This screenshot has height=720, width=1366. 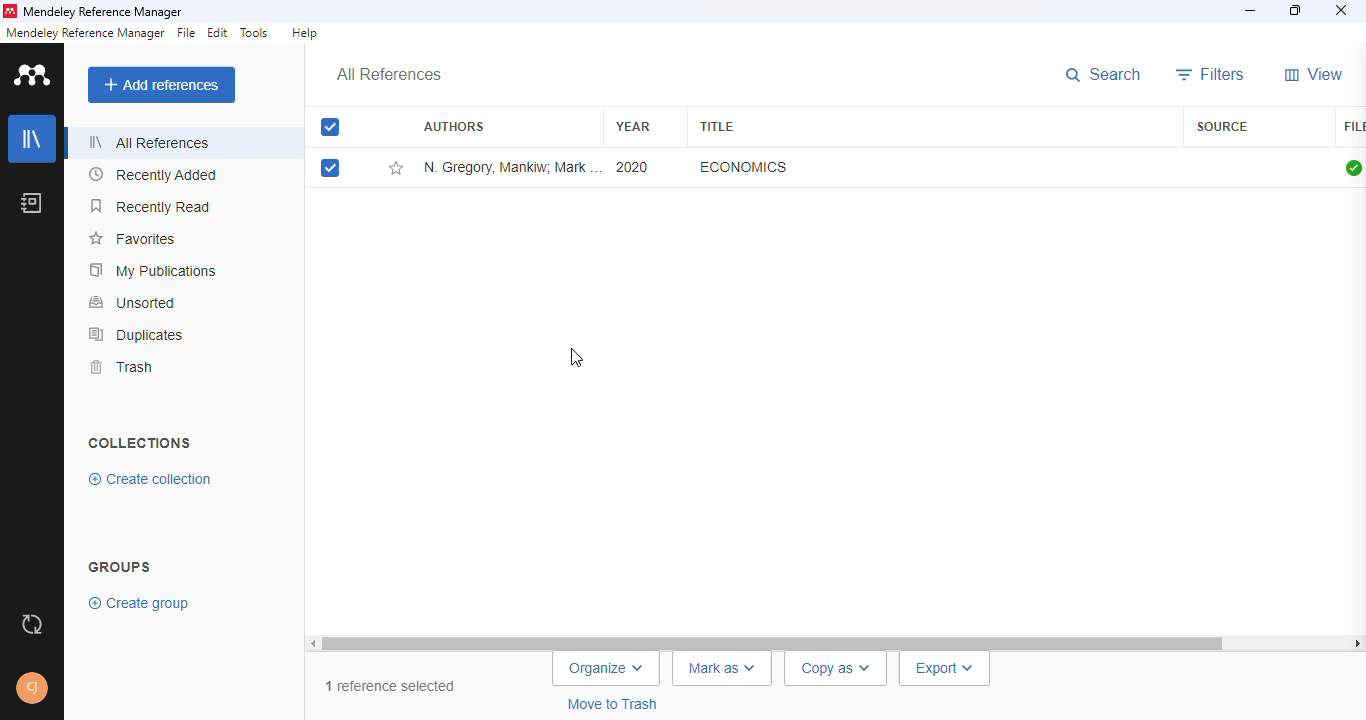 I want to click on 1 reference selected, so click(x=392, y=687).